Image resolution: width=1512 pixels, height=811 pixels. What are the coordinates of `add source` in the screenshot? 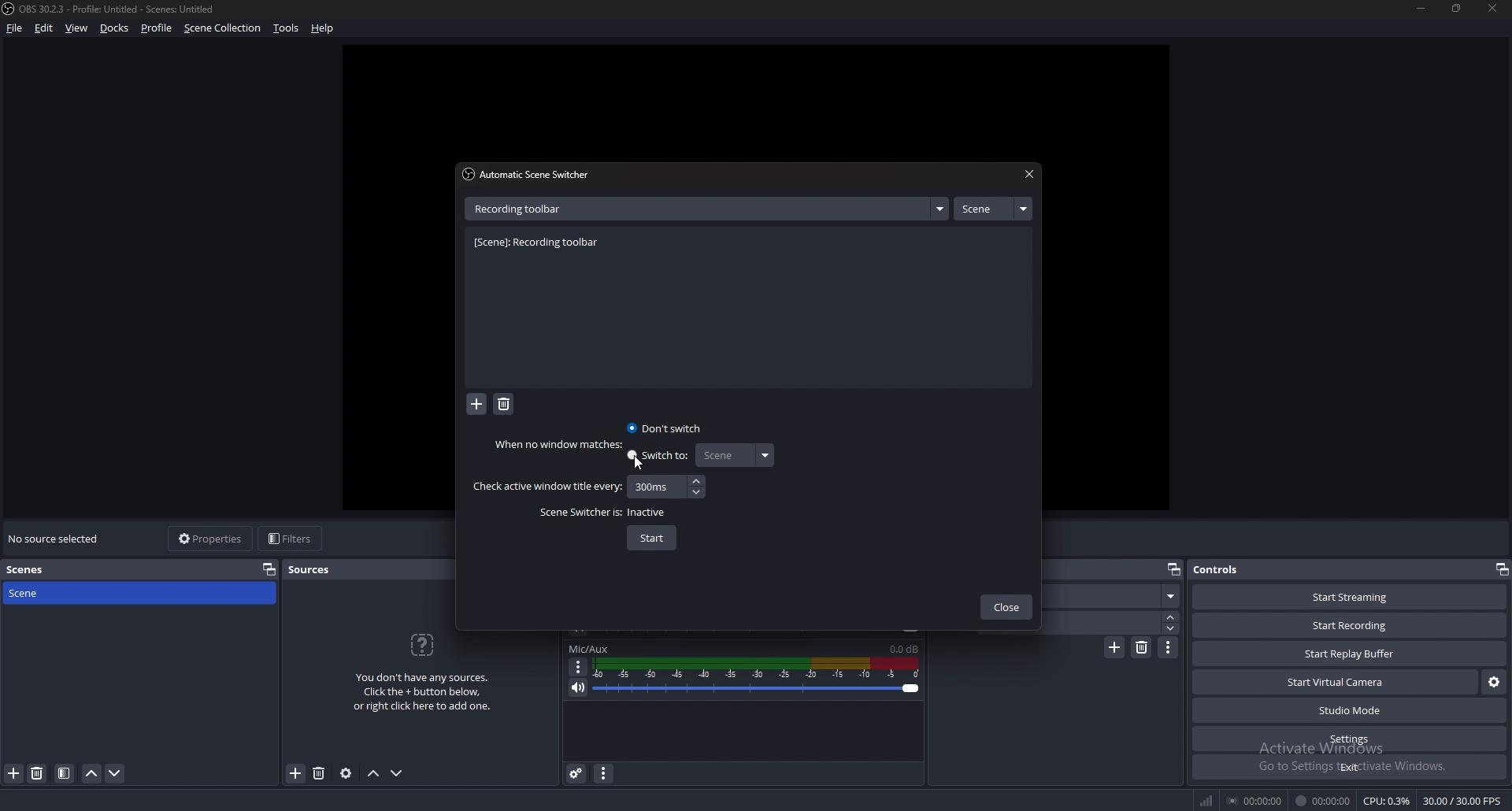 It's located at (296, 774).